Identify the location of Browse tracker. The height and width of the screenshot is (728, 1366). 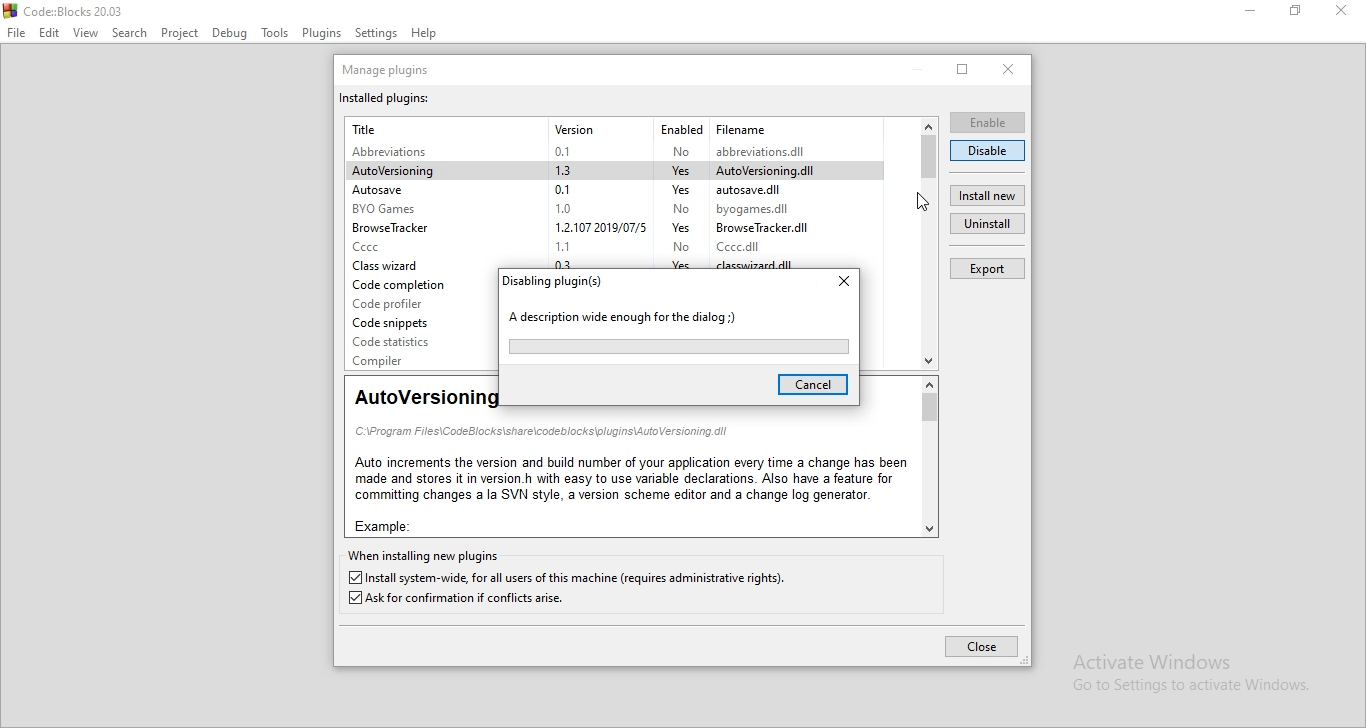
(396, 228).